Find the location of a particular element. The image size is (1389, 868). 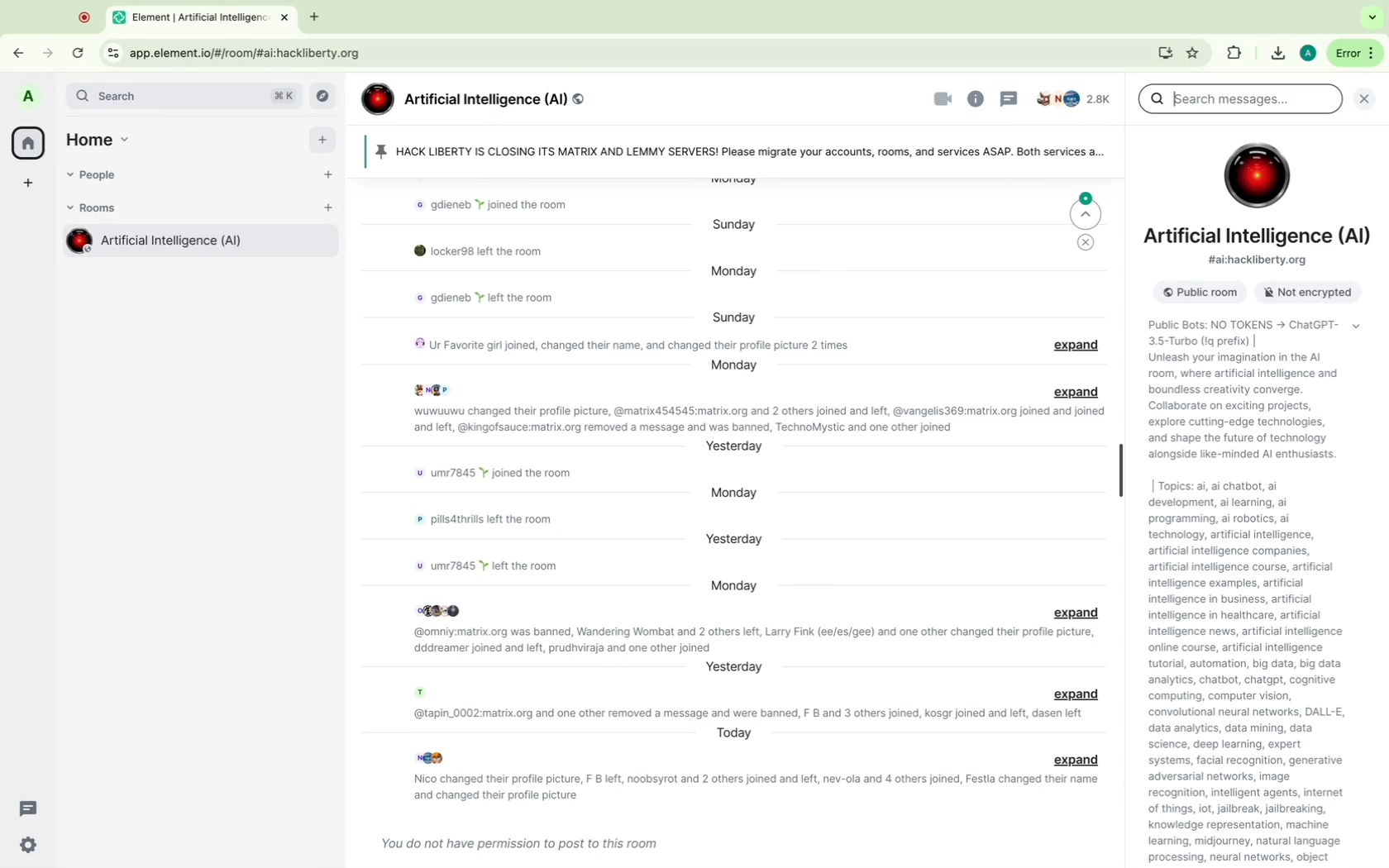

day is located at coordinates (733, 666).